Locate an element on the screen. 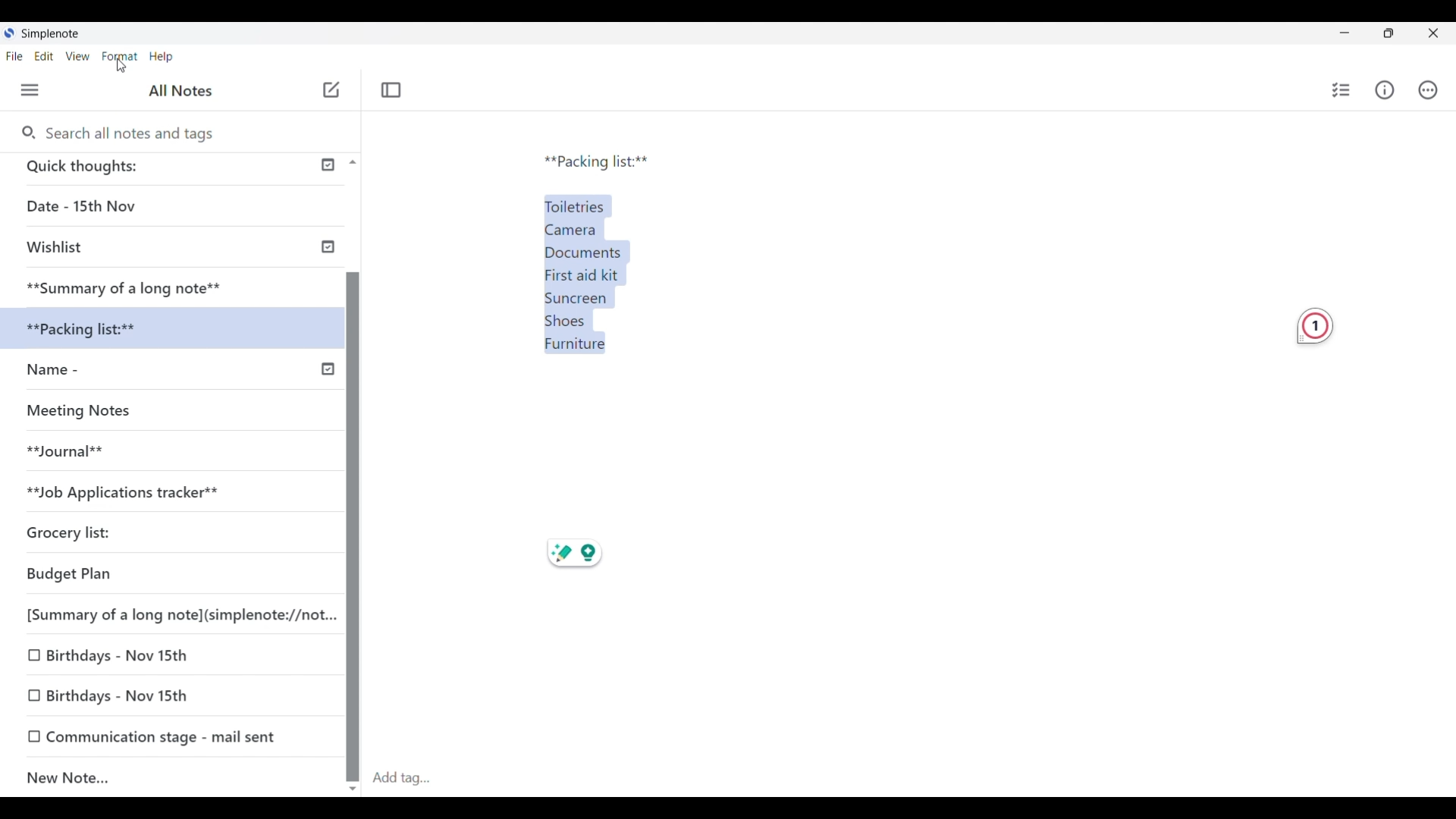 The image size is (1456, 819). Summary of a long note is located at coordinates (126, 286).